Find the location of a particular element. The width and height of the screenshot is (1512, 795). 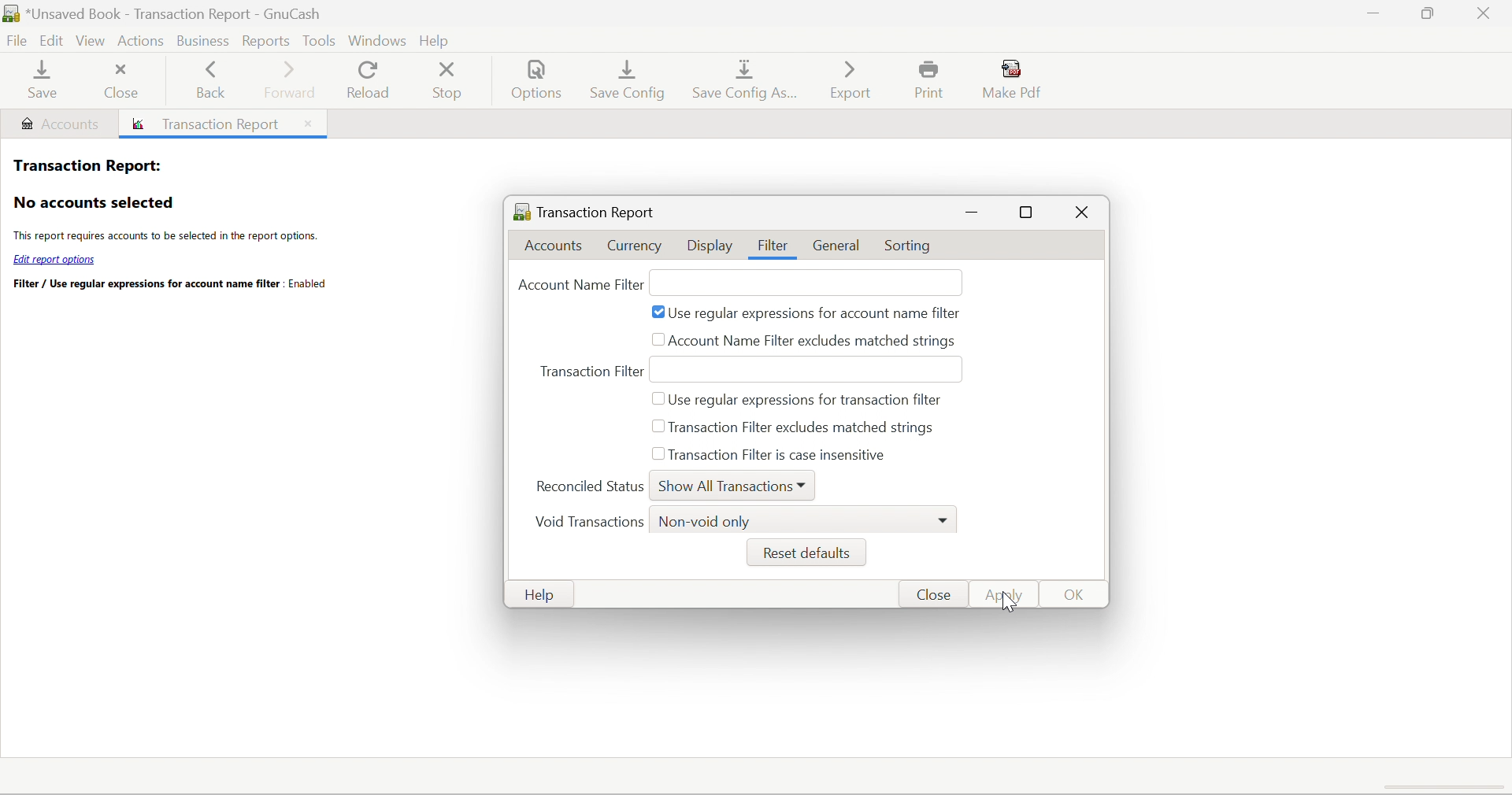

Show All Transactions is located at coordinates (724, 488).